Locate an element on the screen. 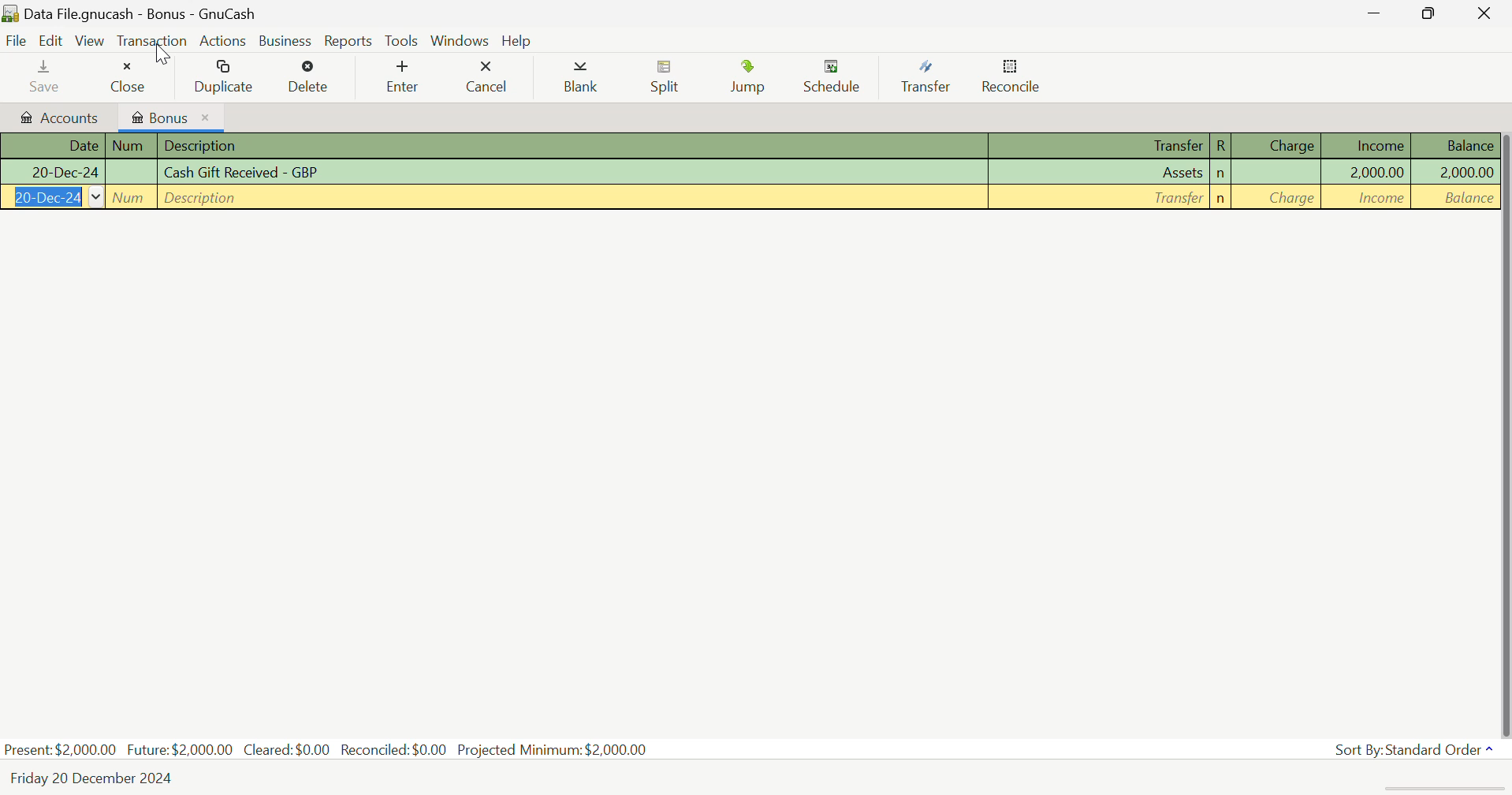 This screenshot has width=1512, height=795. Assets is located at coordinates (1101, 174).